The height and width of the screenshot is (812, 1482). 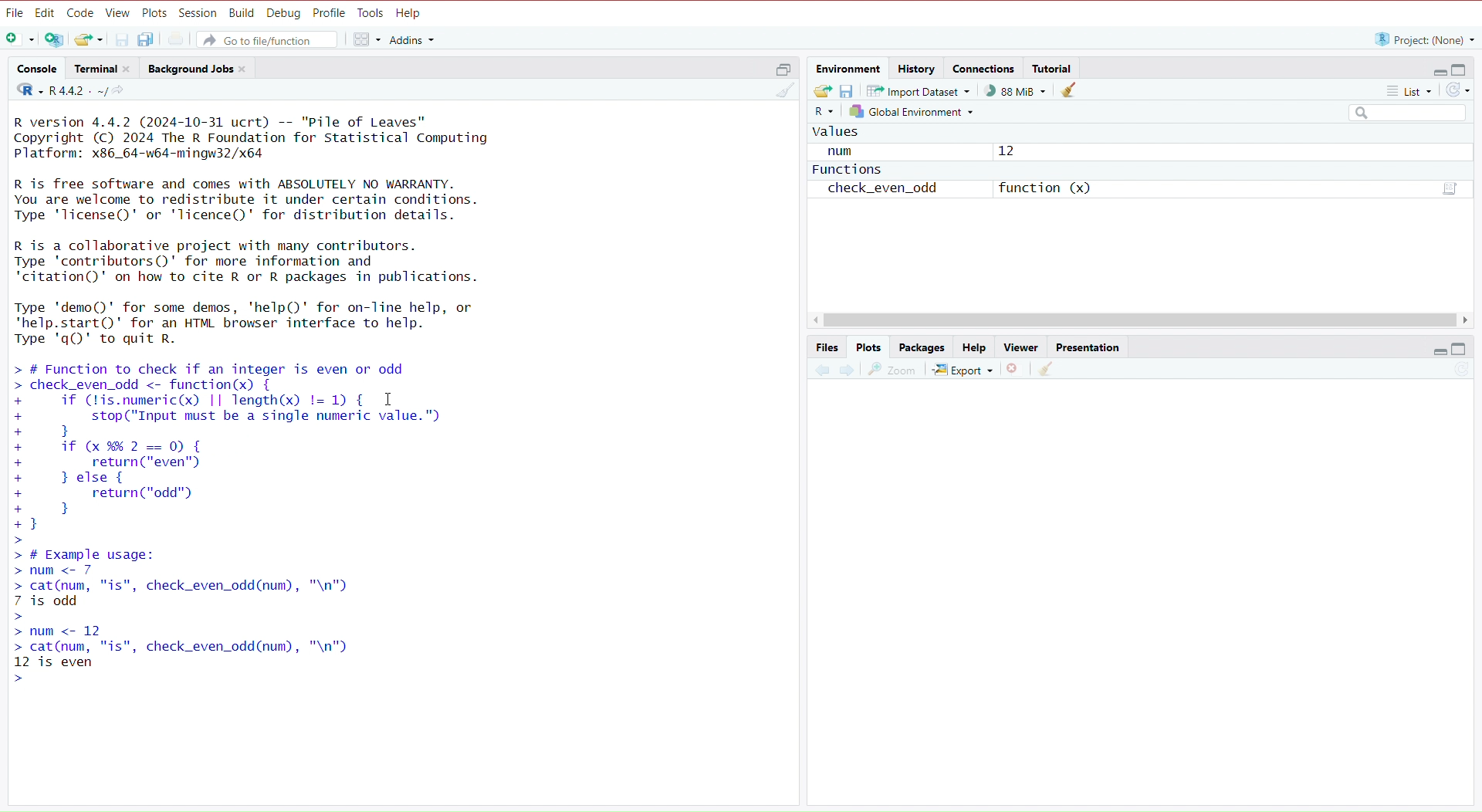 What do you see at coordinates (849, 69) in the screenshot?
I see `environment` at bounding box center [849, 69].